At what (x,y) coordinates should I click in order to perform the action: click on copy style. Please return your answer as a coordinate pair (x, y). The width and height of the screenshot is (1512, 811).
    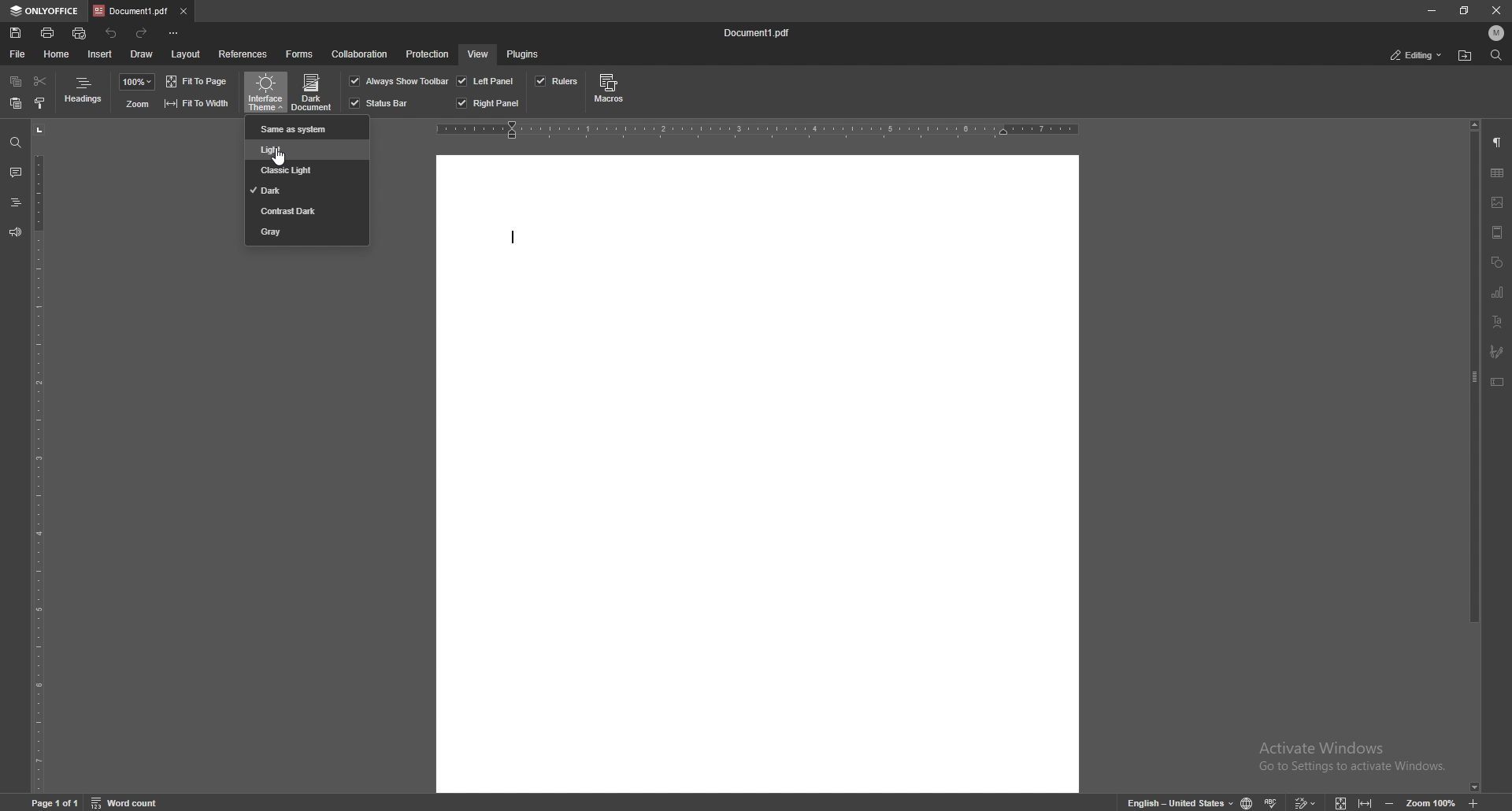
    Looking at the image, I should click on (40, 103).